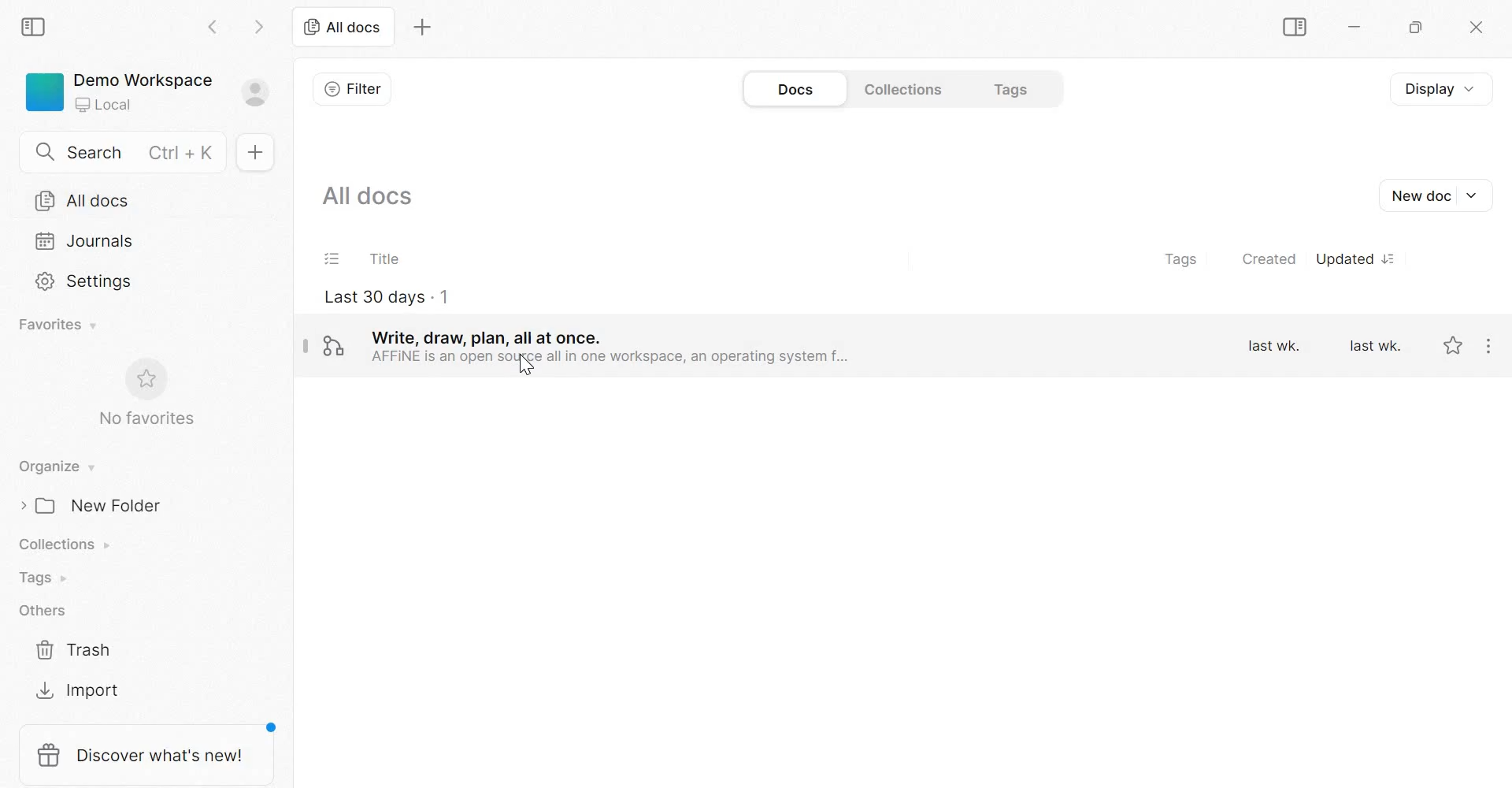 The image size is (1512, 788). I want to click on Organise, so click(54, 466).